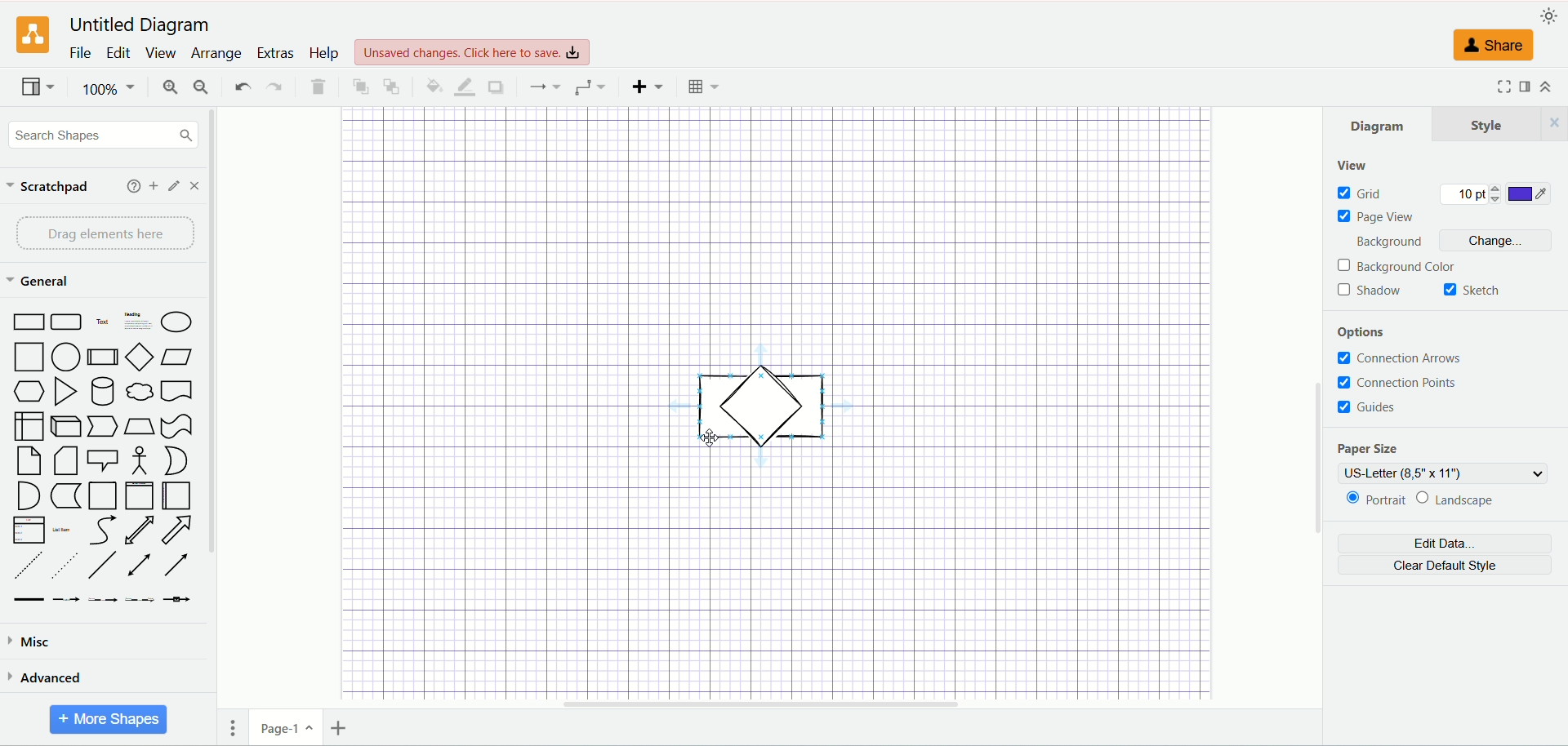 This screenshot has width=1568, height=746. What do you see at coordinates (65, 357) in the screenshot?
I see `Circle` at bounding box center [65, 357].